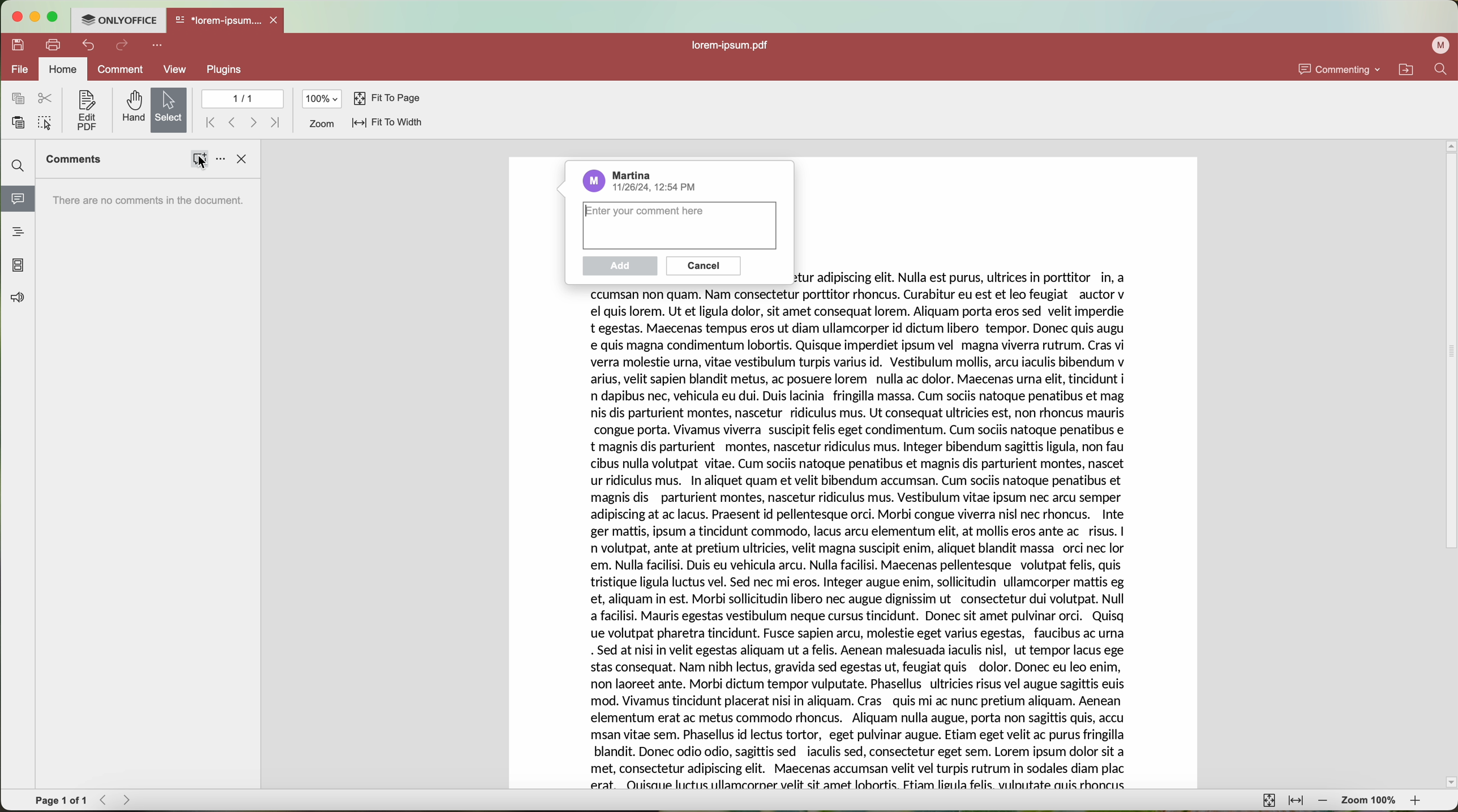  Describe the element at coordinates (53, 46) in the screenshot. I see `print` at that location.